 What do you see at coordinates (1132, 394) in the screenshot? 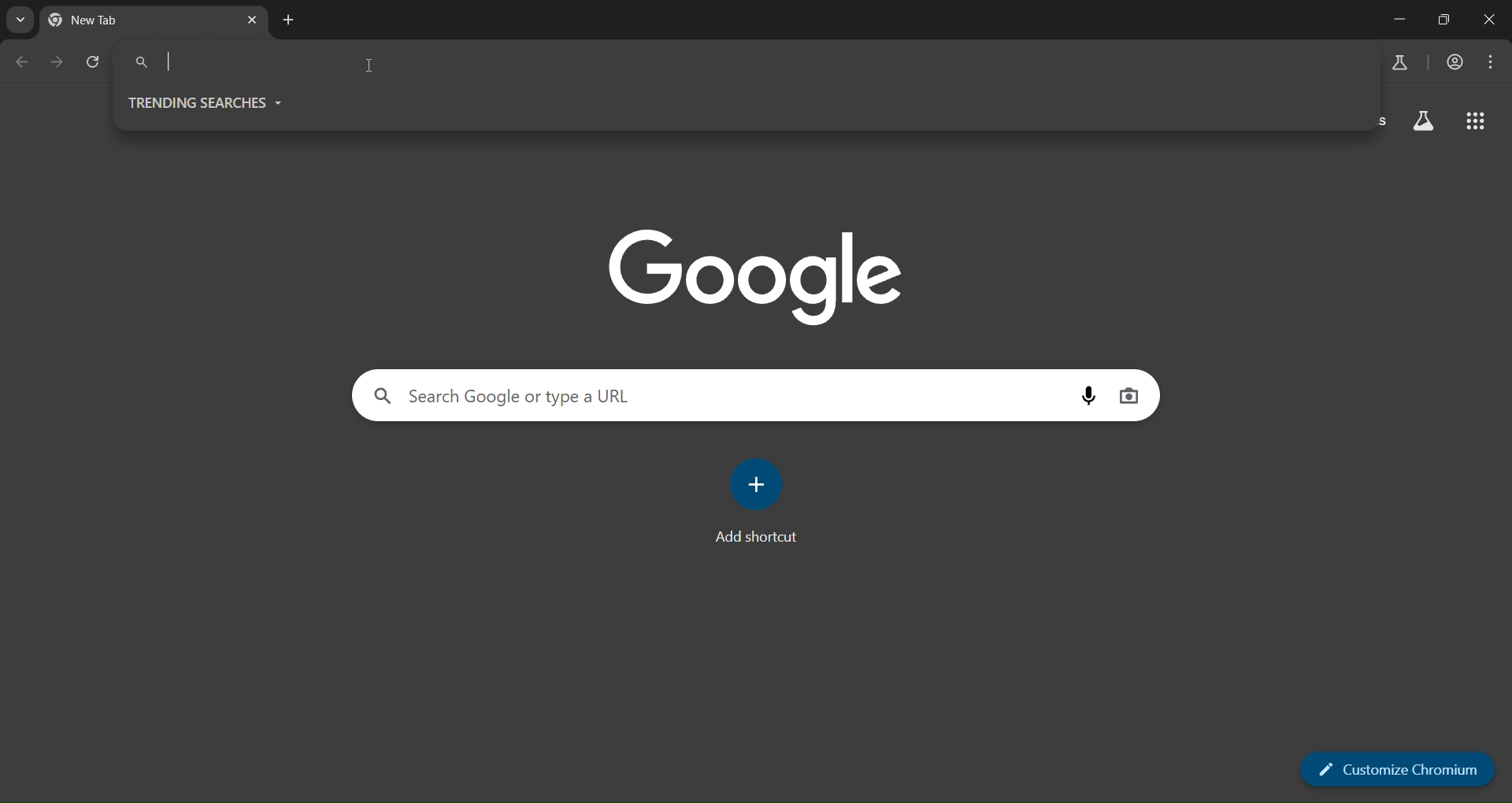
I see `image search` at bounding box center [1132, 394].